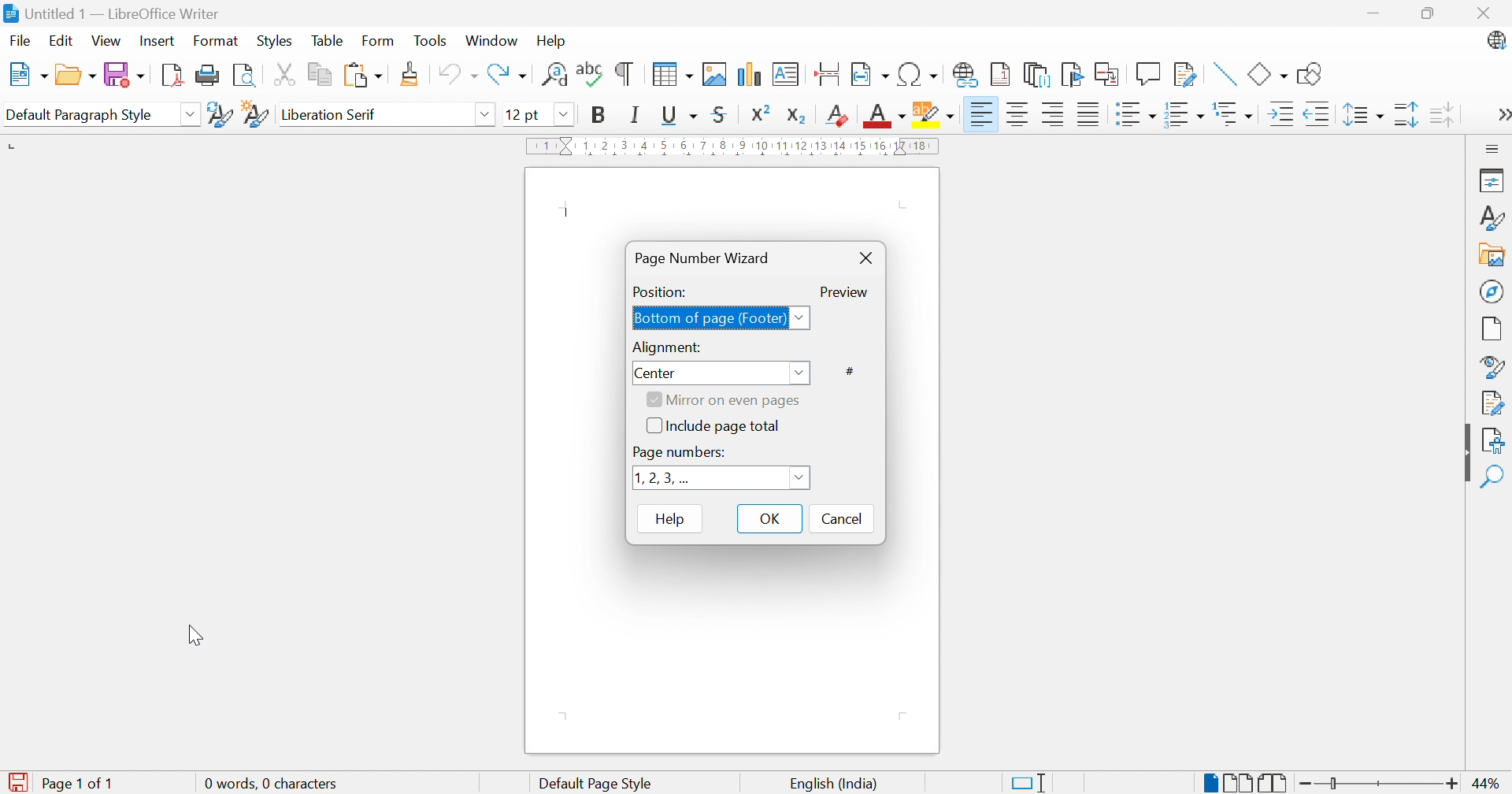 The image size is (1512, 794). What do you see at coordinates (795, 115) in the screenshot?
I see `Subscript` at bounding box center [795, 115].